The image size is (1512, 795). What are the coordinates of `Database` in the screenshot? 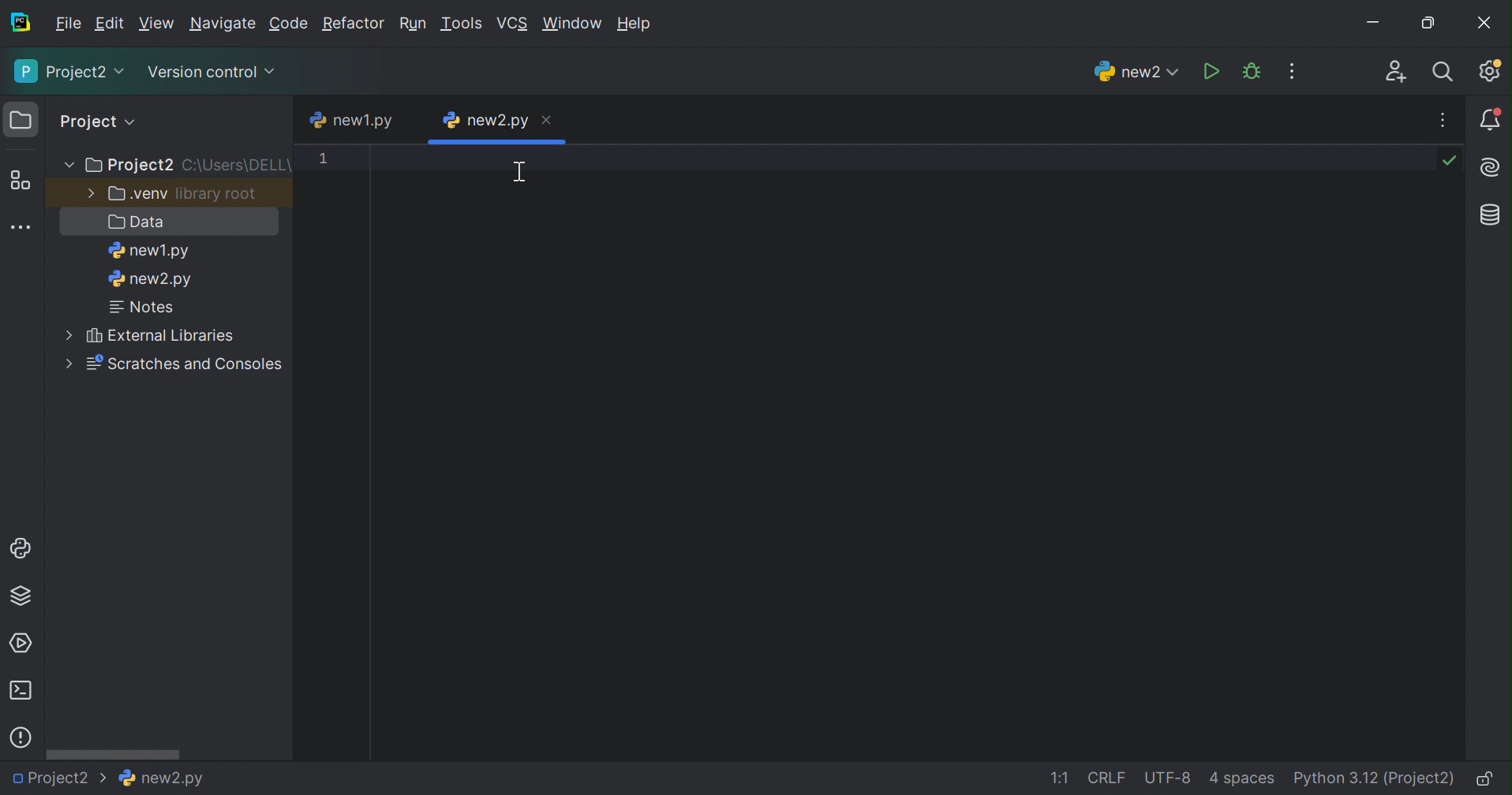 It's located at (1493, 216).